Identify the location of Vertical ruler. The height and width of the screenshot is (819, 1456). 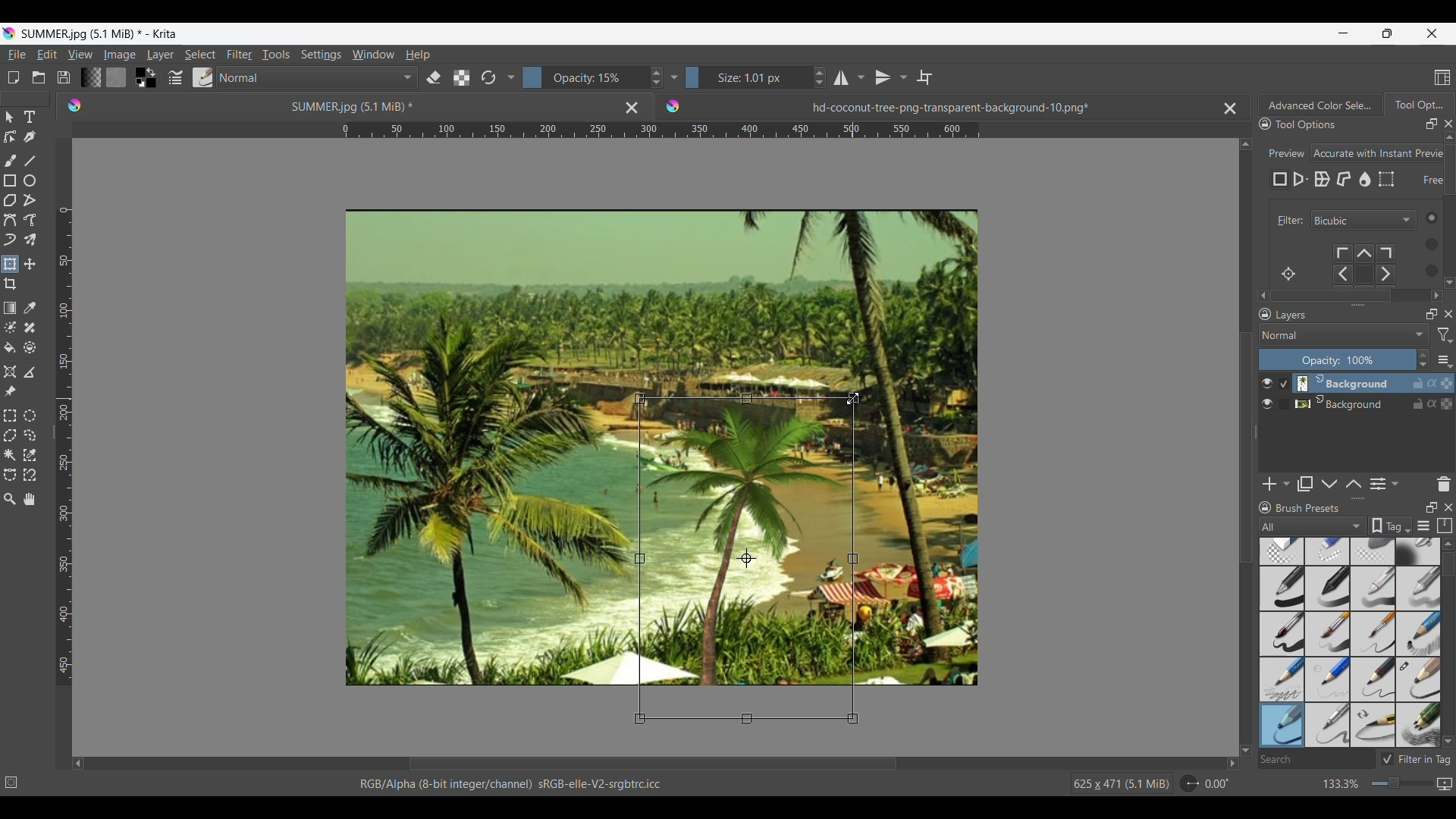
(64, 447).